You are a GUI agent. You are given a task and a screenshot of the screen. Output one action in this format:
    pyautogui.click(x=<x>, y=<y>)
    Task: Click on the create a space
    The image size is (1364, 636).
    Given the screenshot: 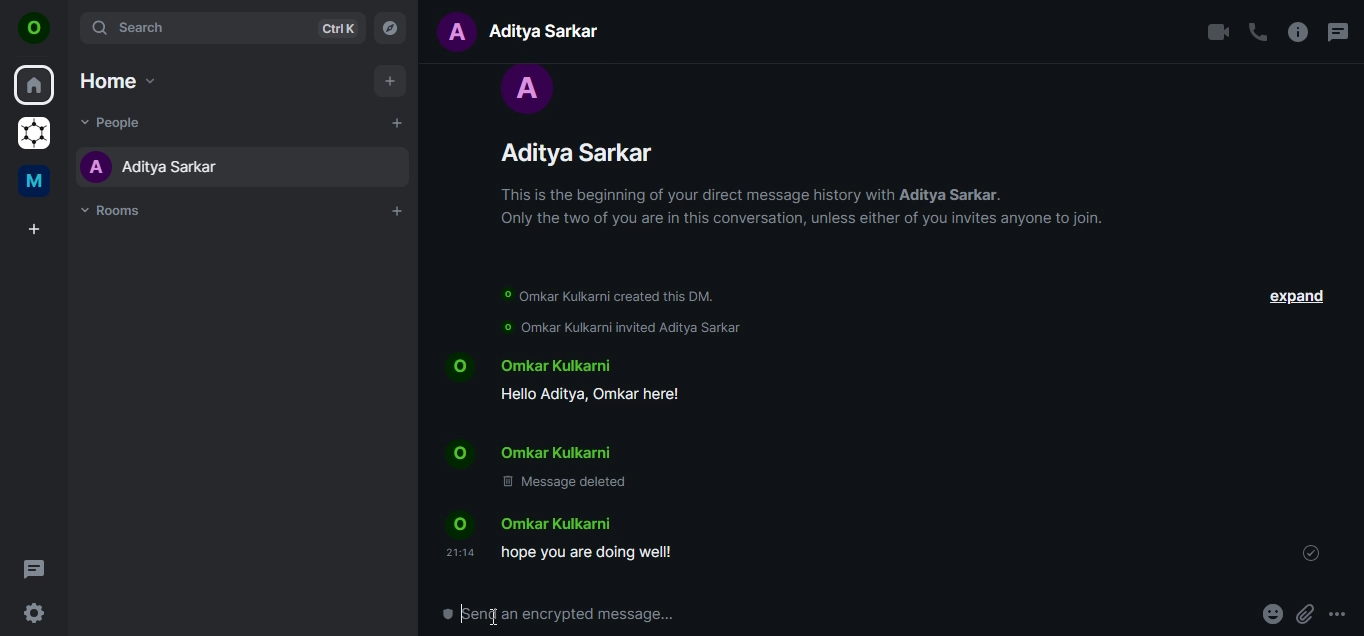 What is the action you would take?
    pyautogui.click(x=36, y=229)
    